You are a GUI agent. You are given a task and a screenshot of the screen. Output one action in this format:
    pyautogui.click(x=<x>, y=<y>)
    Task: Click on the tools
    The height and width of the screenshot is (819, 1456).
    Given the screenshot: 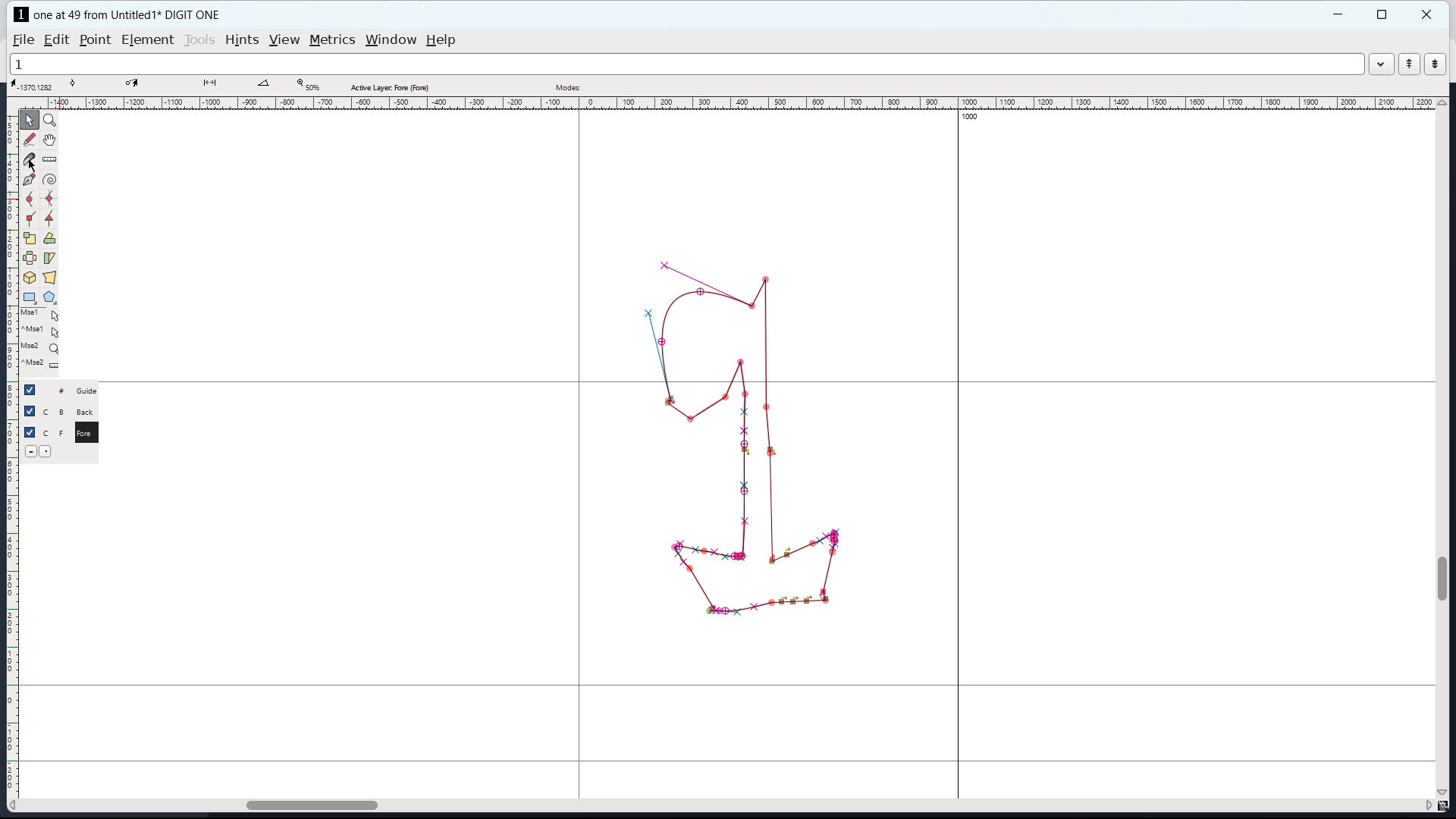 What is the action you would take?
    pyautogui.click(x=199, y=40)
    